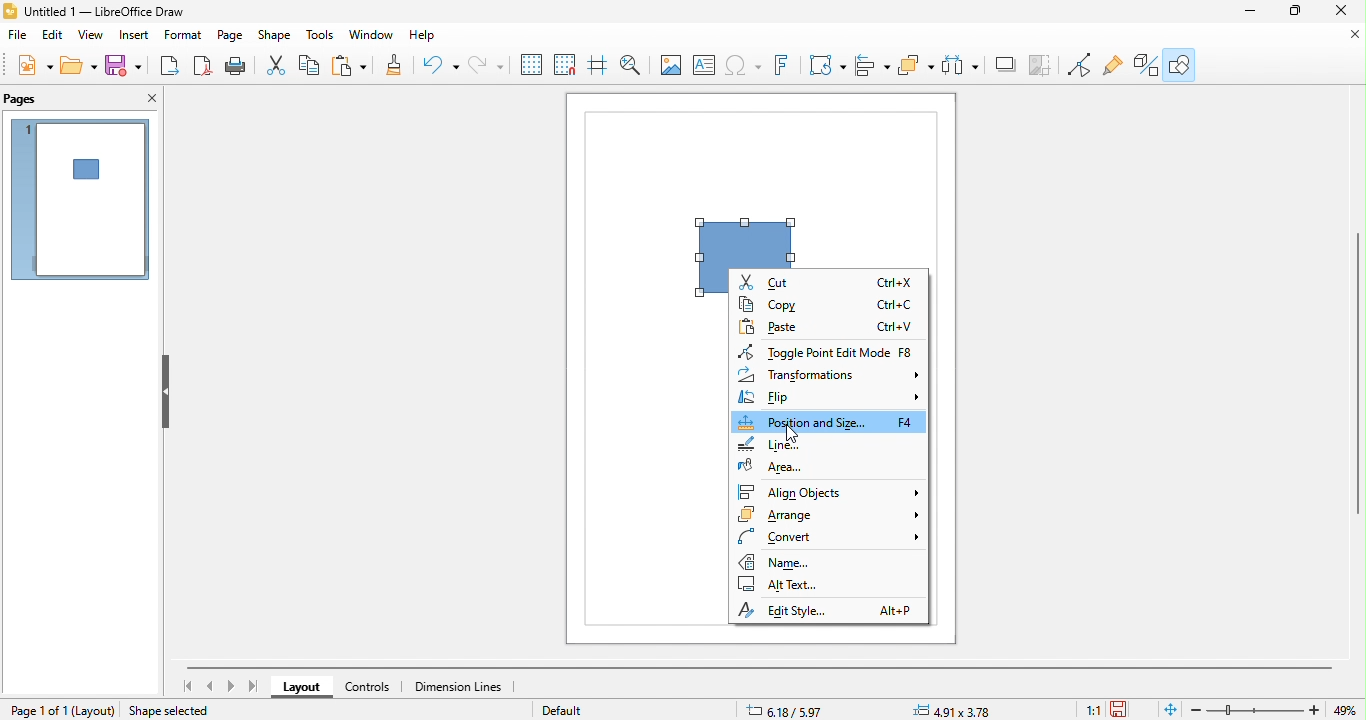  Describe the element at coordinates (11, 11) in the screenshot. I see `logo` at that location.